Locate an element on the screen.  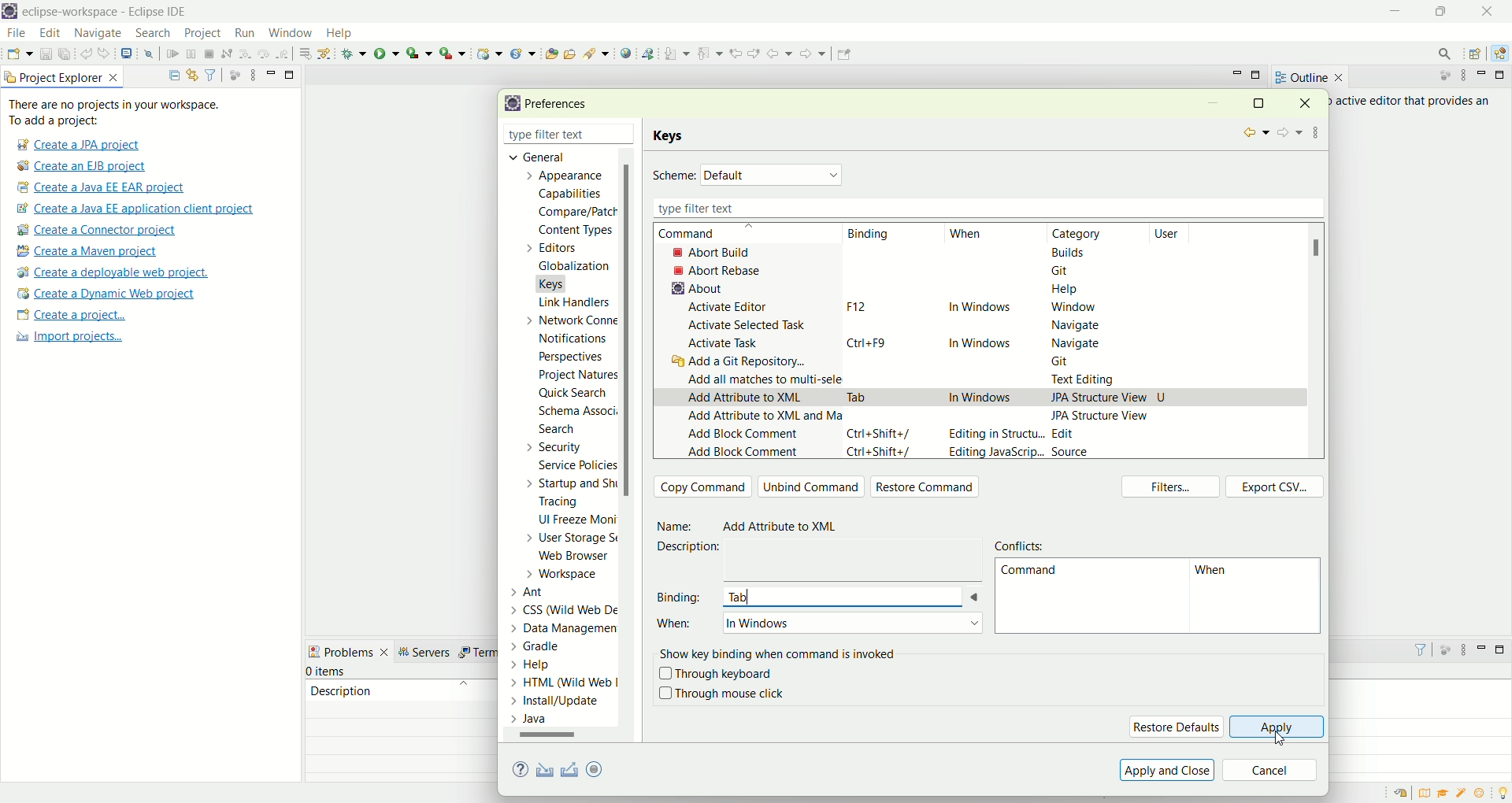
forward is located at coordinates (811, 57).